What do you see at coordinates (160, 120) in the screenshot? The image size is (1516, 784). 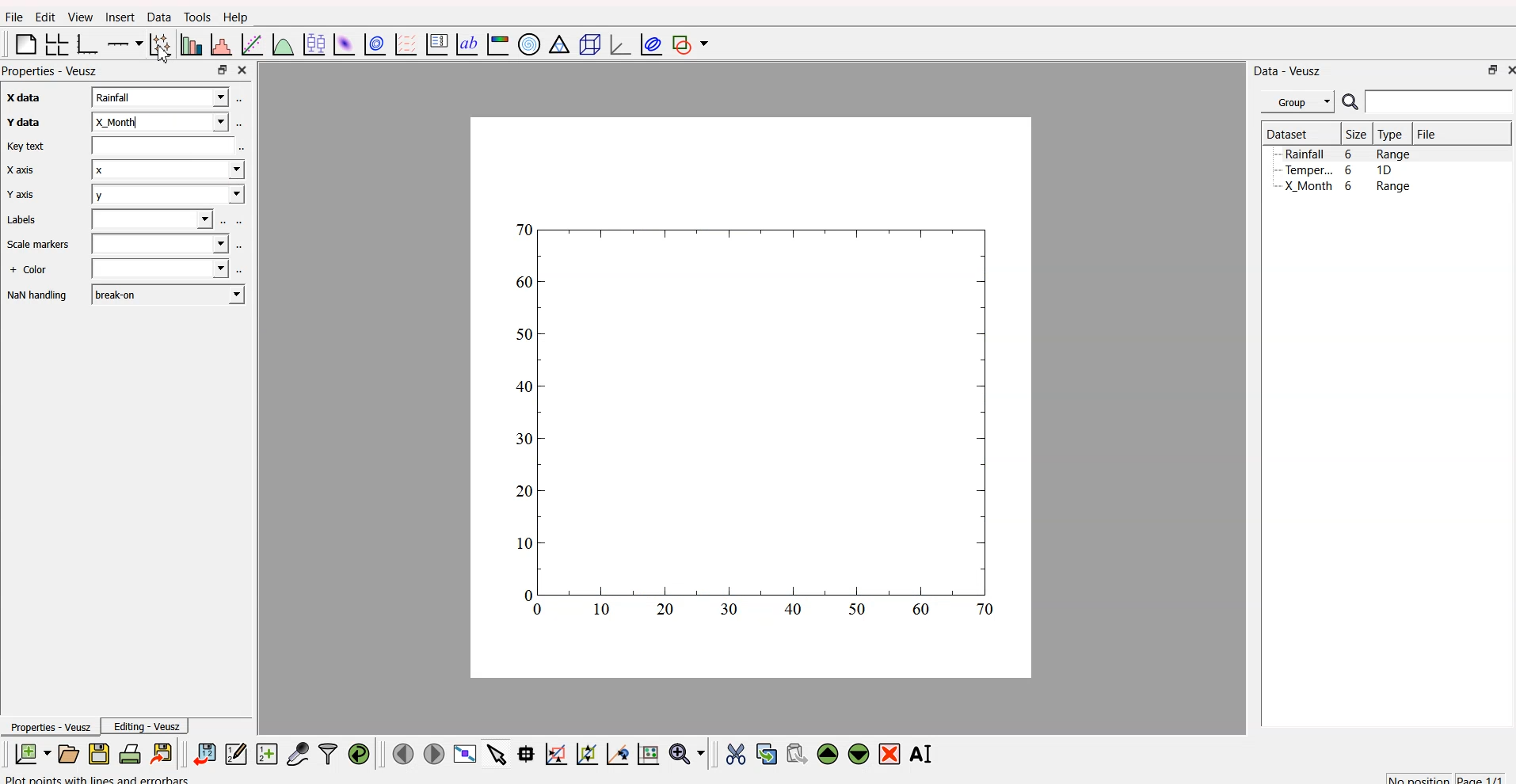 I see `y` at bounding box center [160, 120].